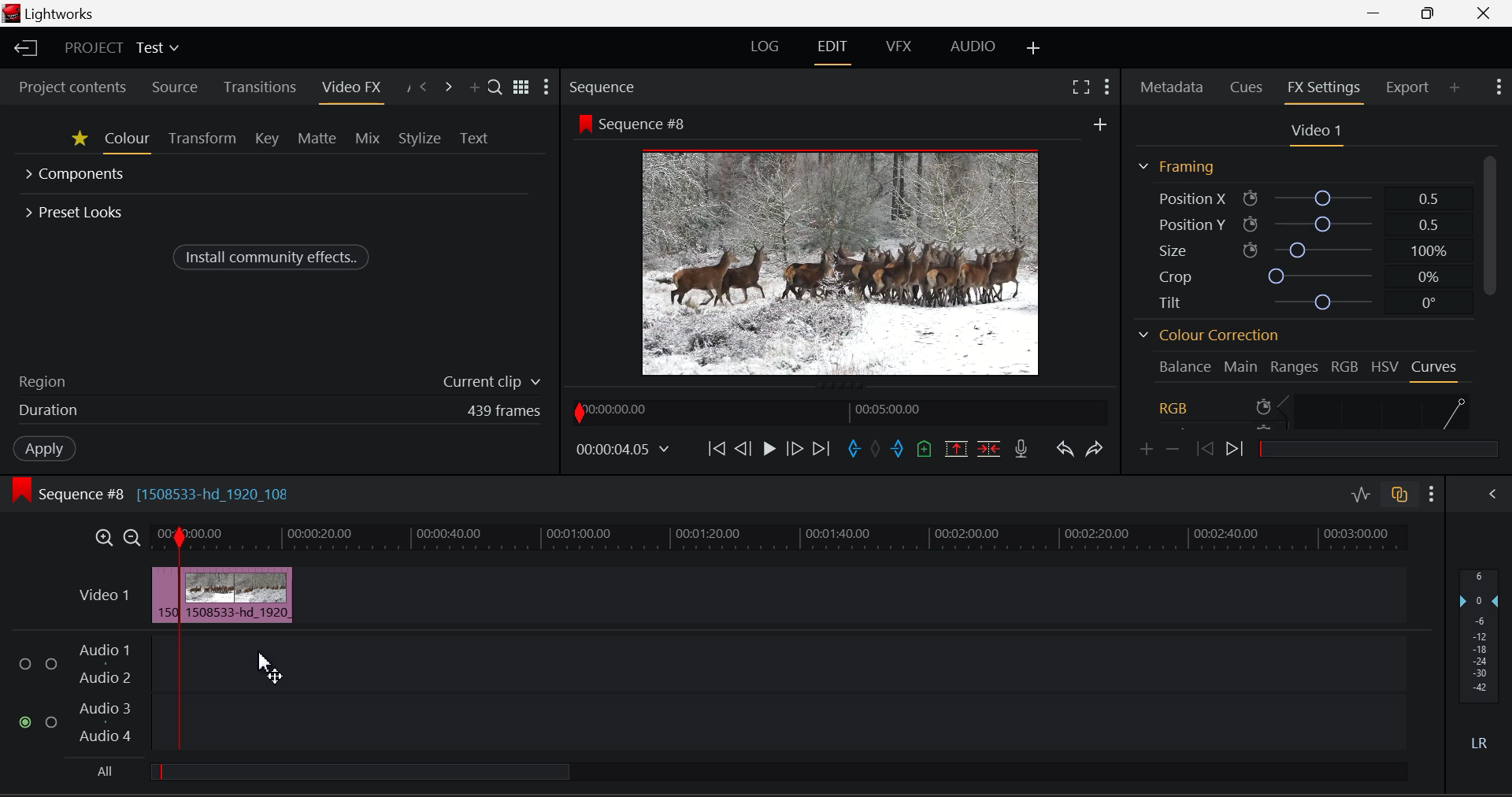 This screenshot has height=797, width=1512. Describe the element at coordinates (1092, 449) in the screenshot. I see `Redo` at that location.